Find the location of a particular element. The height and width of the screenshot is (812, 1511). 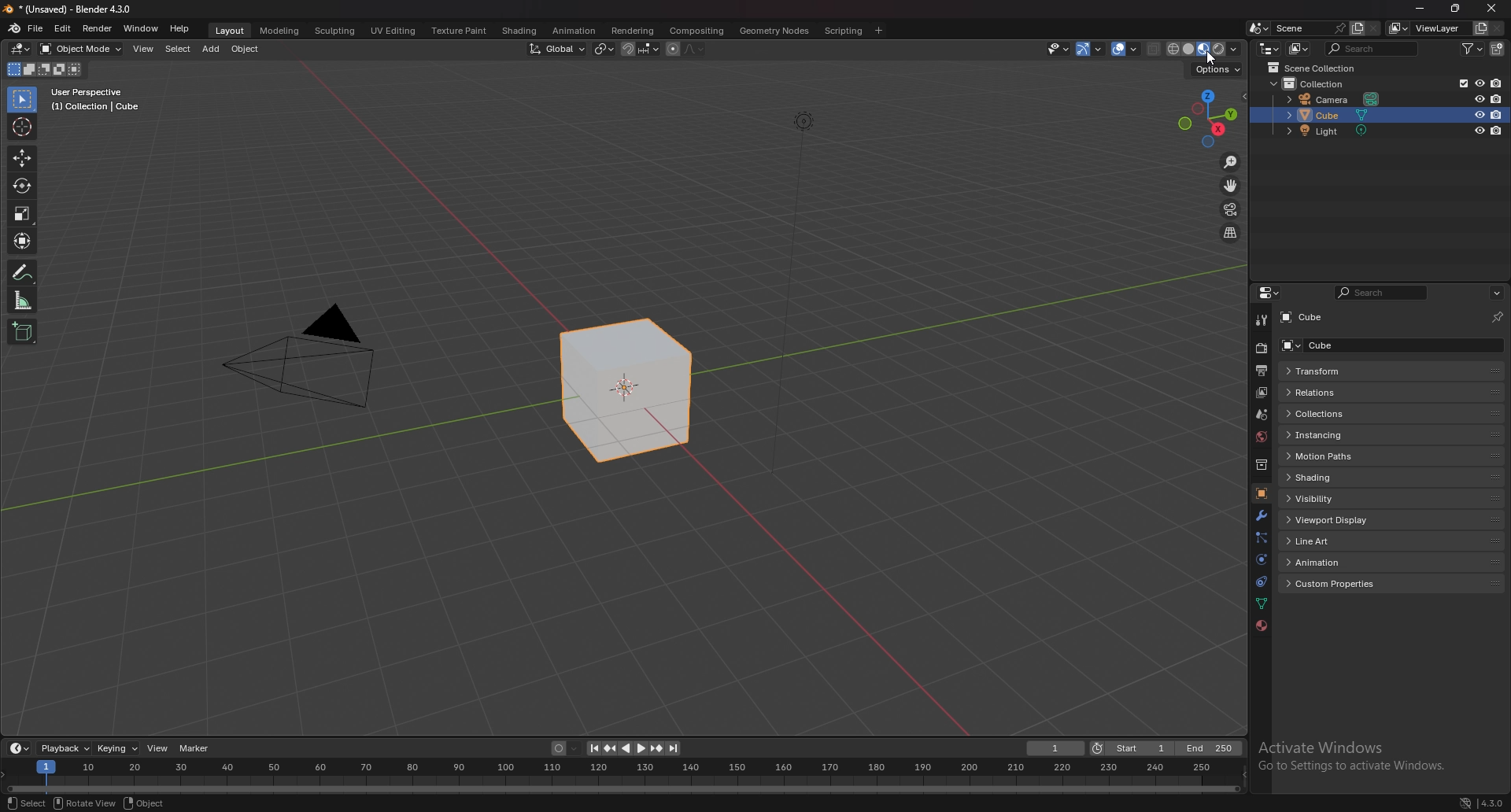

camera is located at coordinates (300, 356).